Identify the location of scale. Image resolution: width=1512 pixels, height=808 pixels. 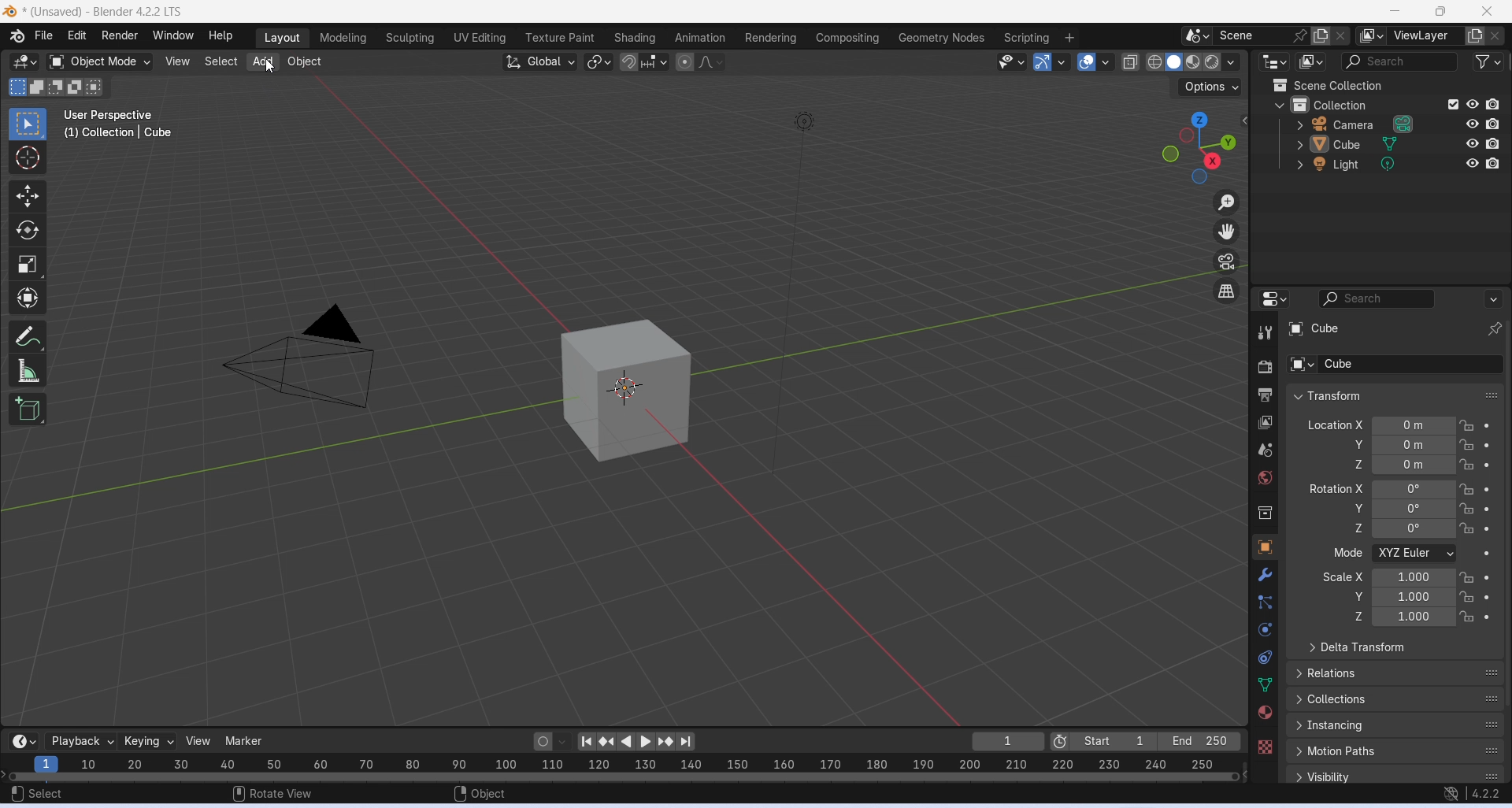
(1413, 617).